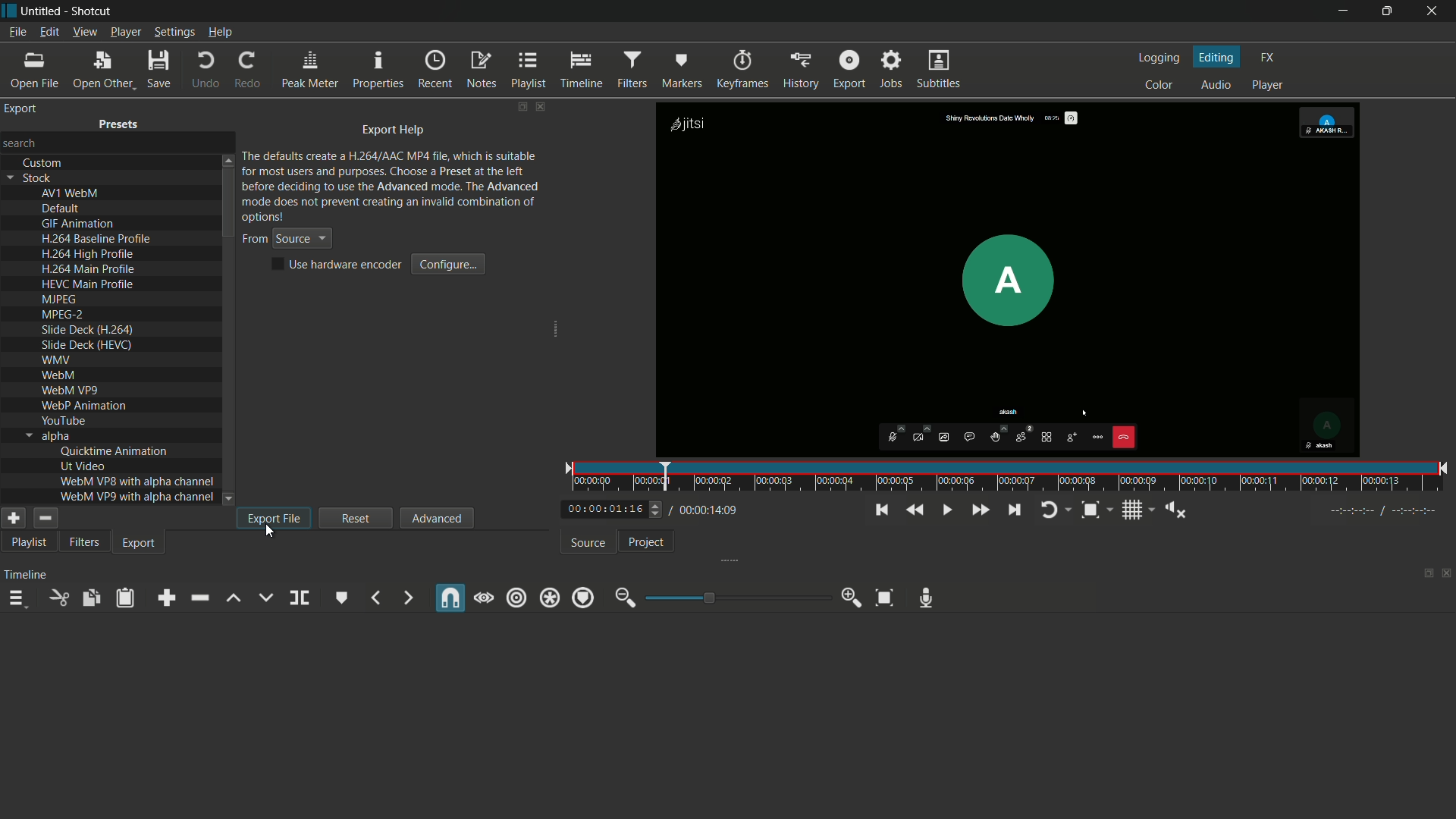  I want to click on text, so click(96, 239).